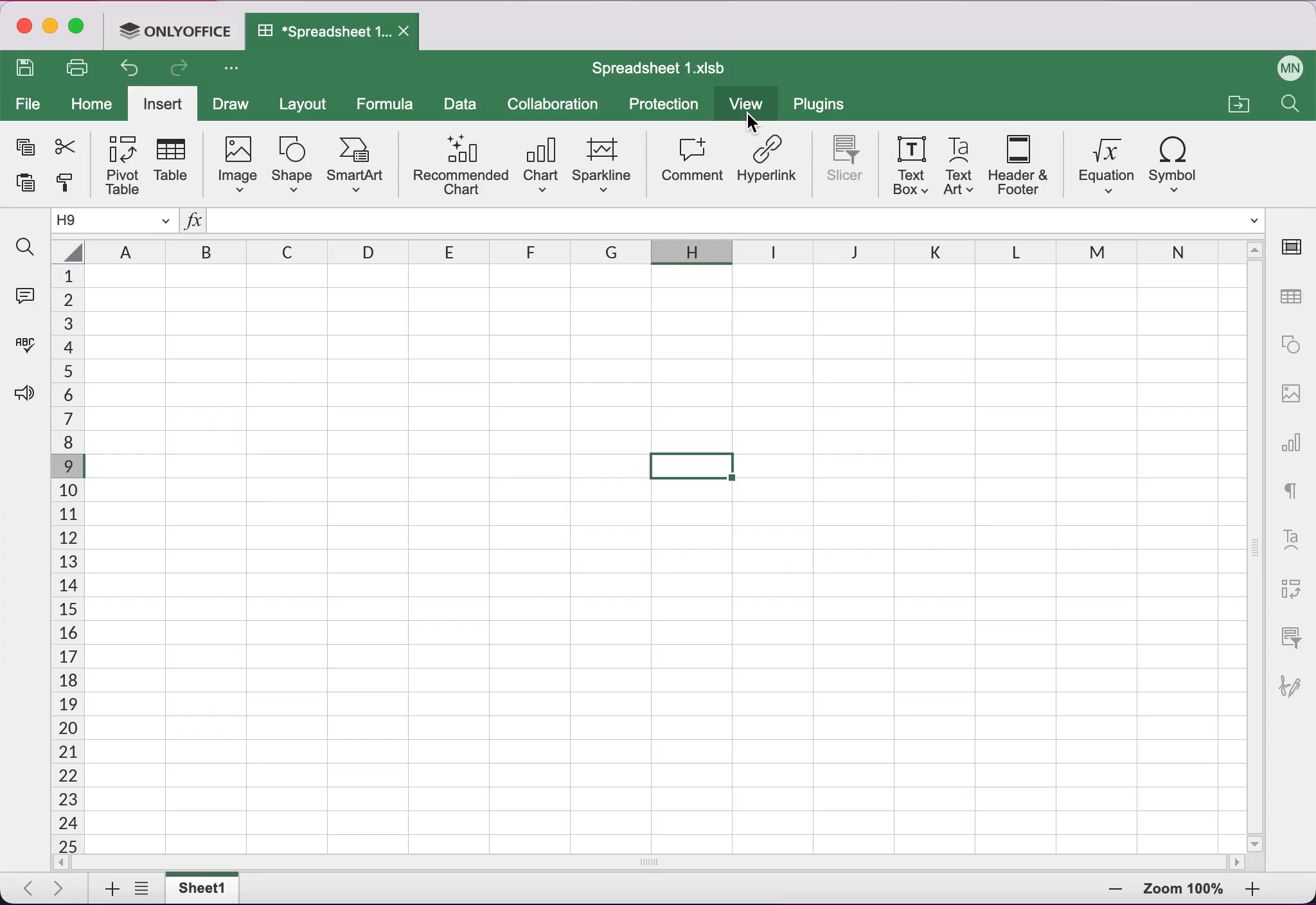 The height and width of the screenshot is (905, 1316). What do you see at coordinates (754, 121) in the screenshot?
I see `cursor` at bounding box center [754, 121].